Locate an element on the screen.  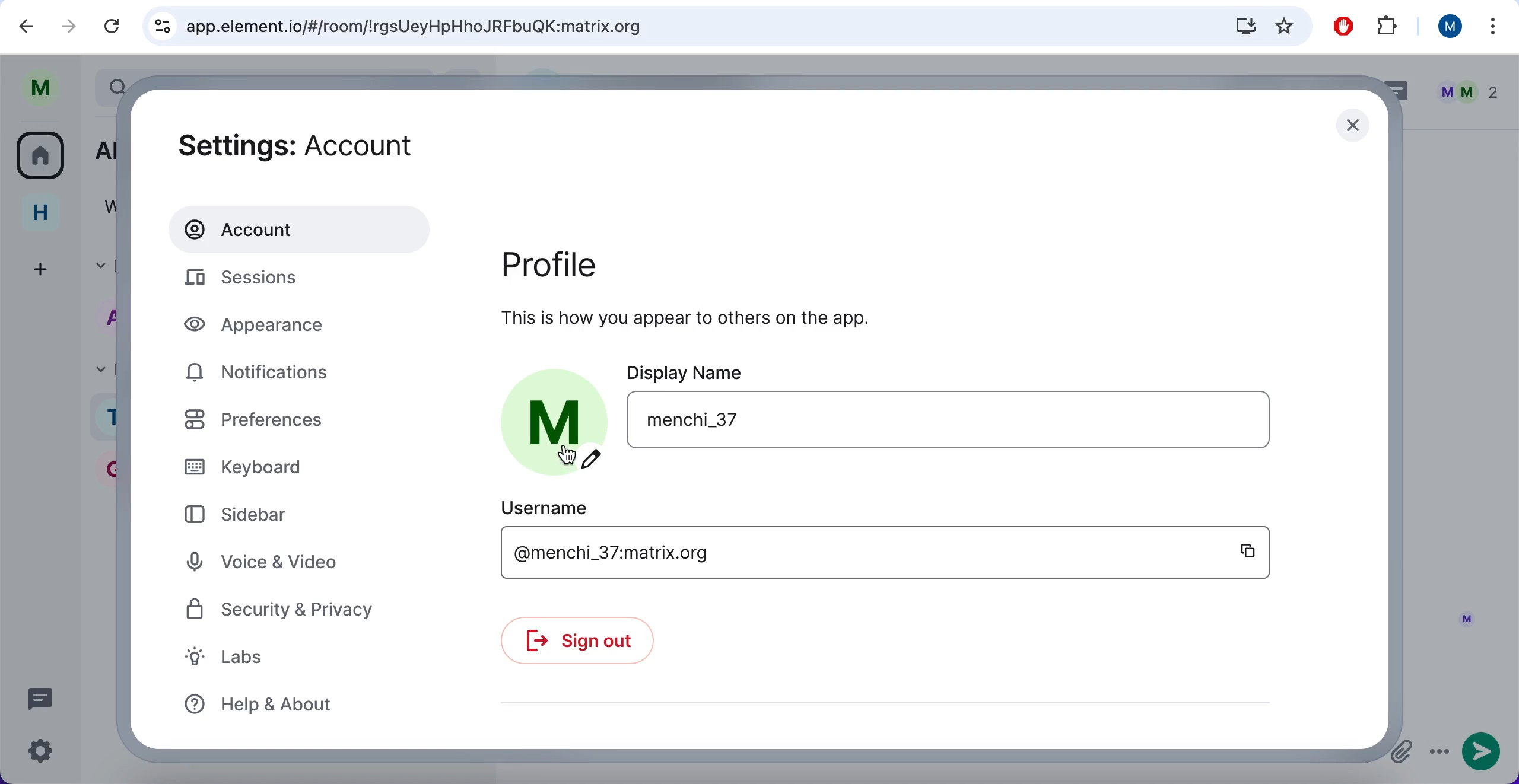
account is located at coordinates (303, 227).